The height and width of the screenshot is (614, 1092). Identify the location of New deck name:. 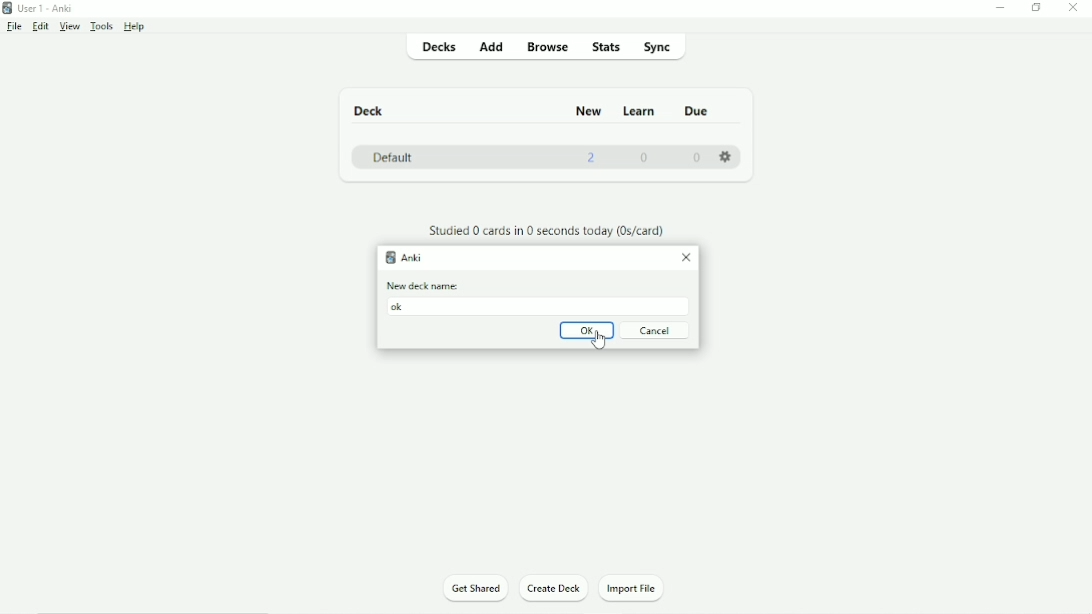
(424, 285).